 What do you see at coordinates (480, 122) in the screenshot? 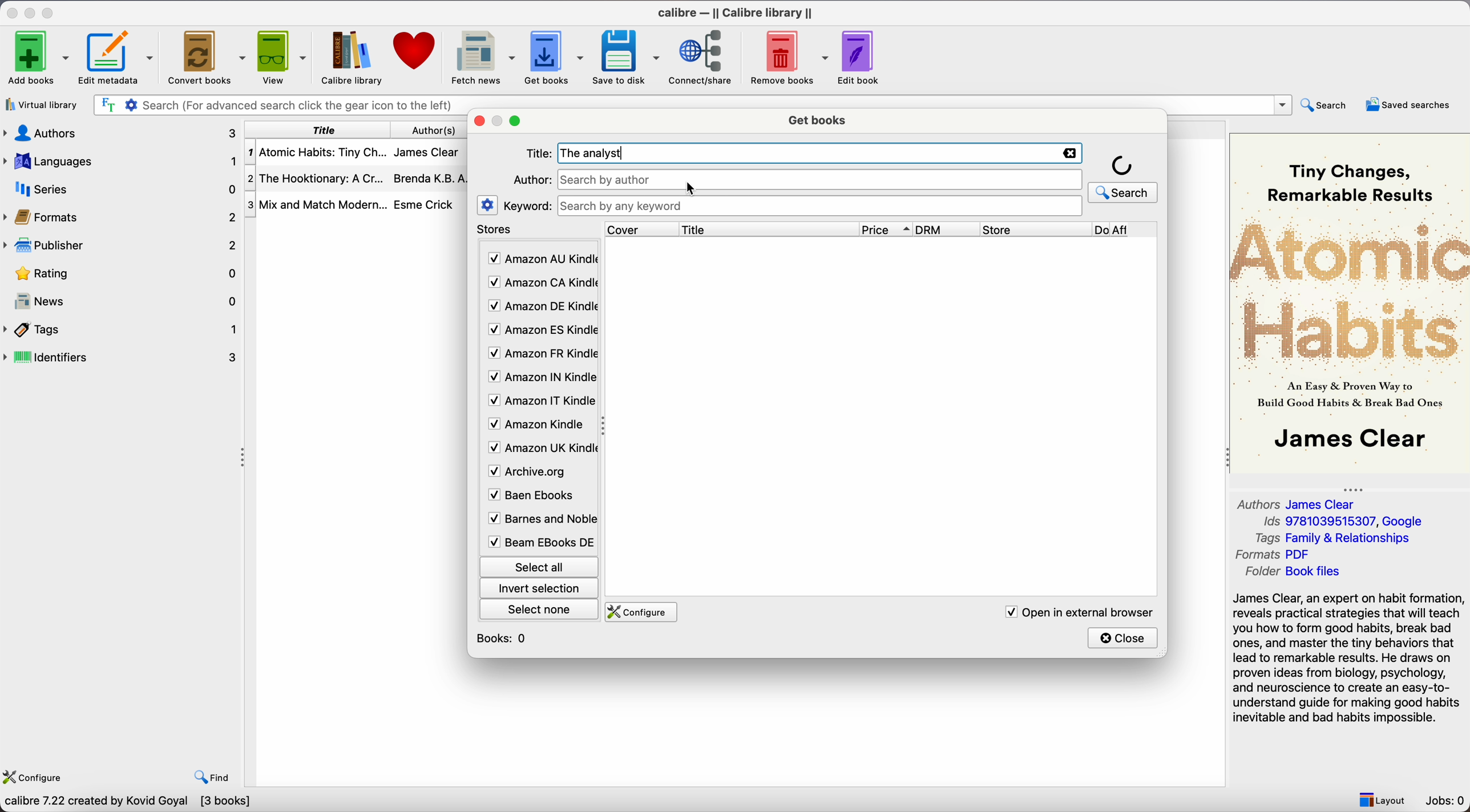
I see `close` at bounding box center [480, 122].